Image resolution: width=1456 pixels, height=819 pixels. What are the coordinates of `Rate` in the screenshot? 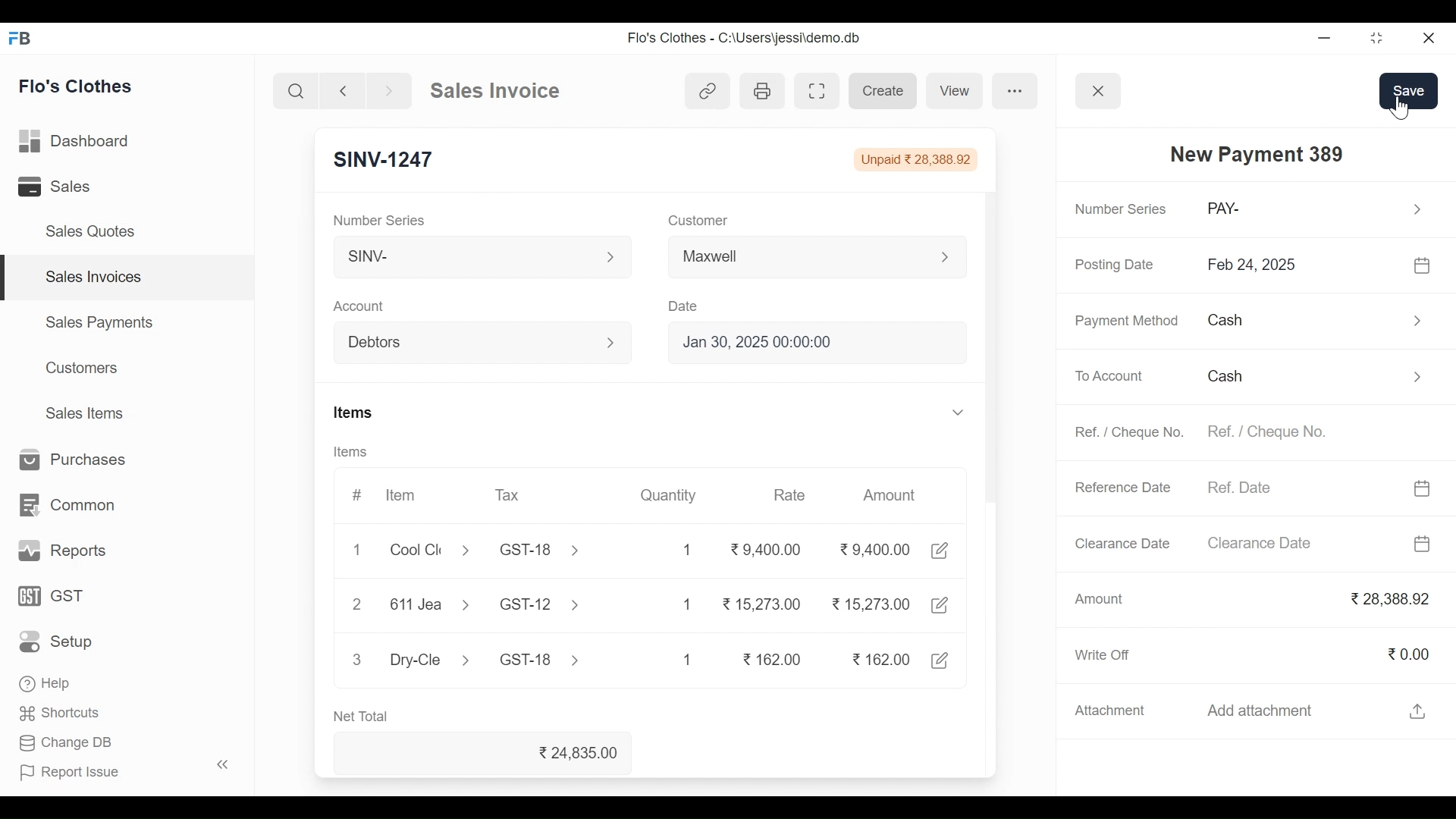 It's located at (789, 494).